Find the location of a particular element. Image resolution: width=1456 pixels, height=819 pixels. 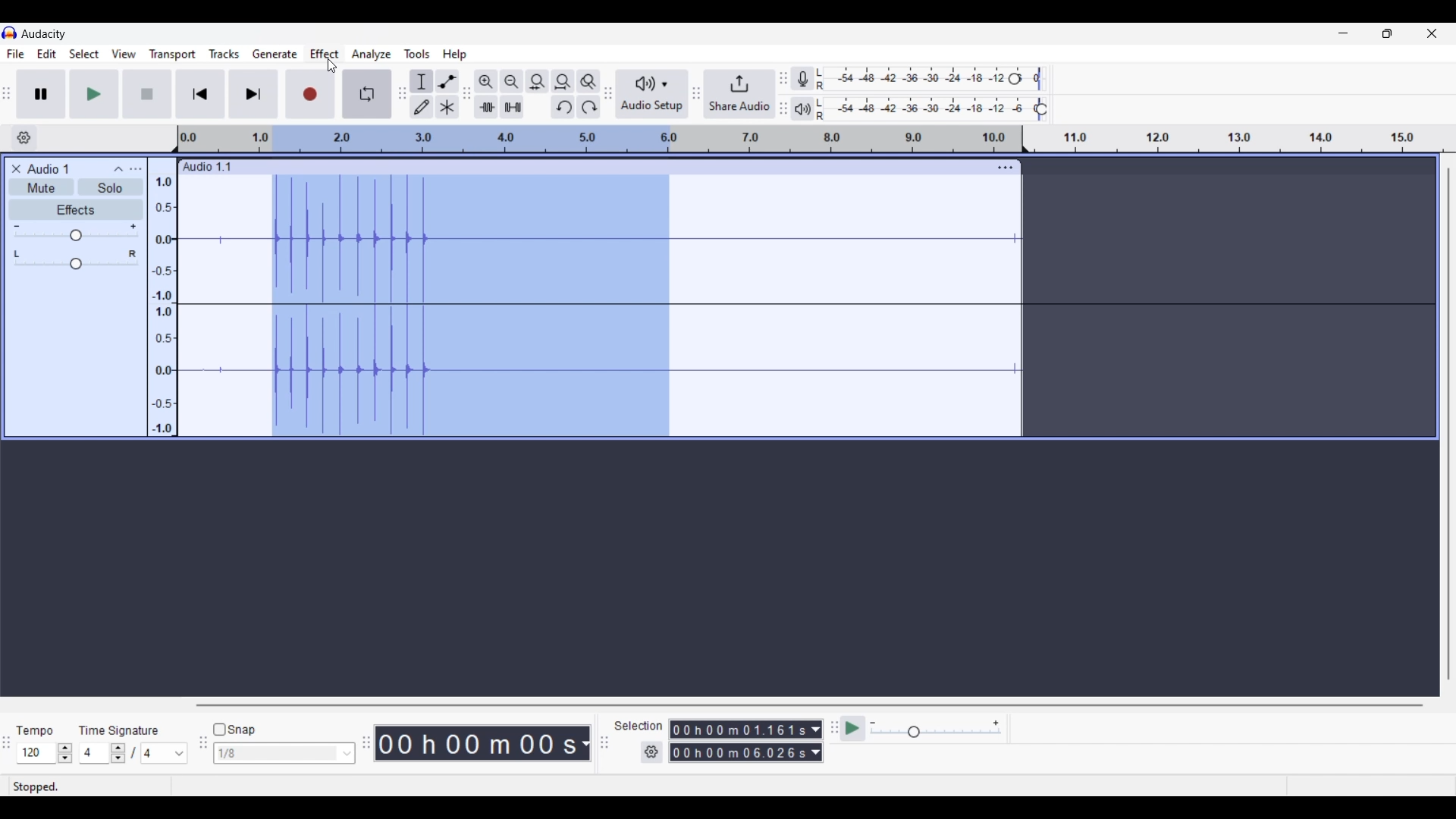

Enable looping is located at coordinates (368, 94).